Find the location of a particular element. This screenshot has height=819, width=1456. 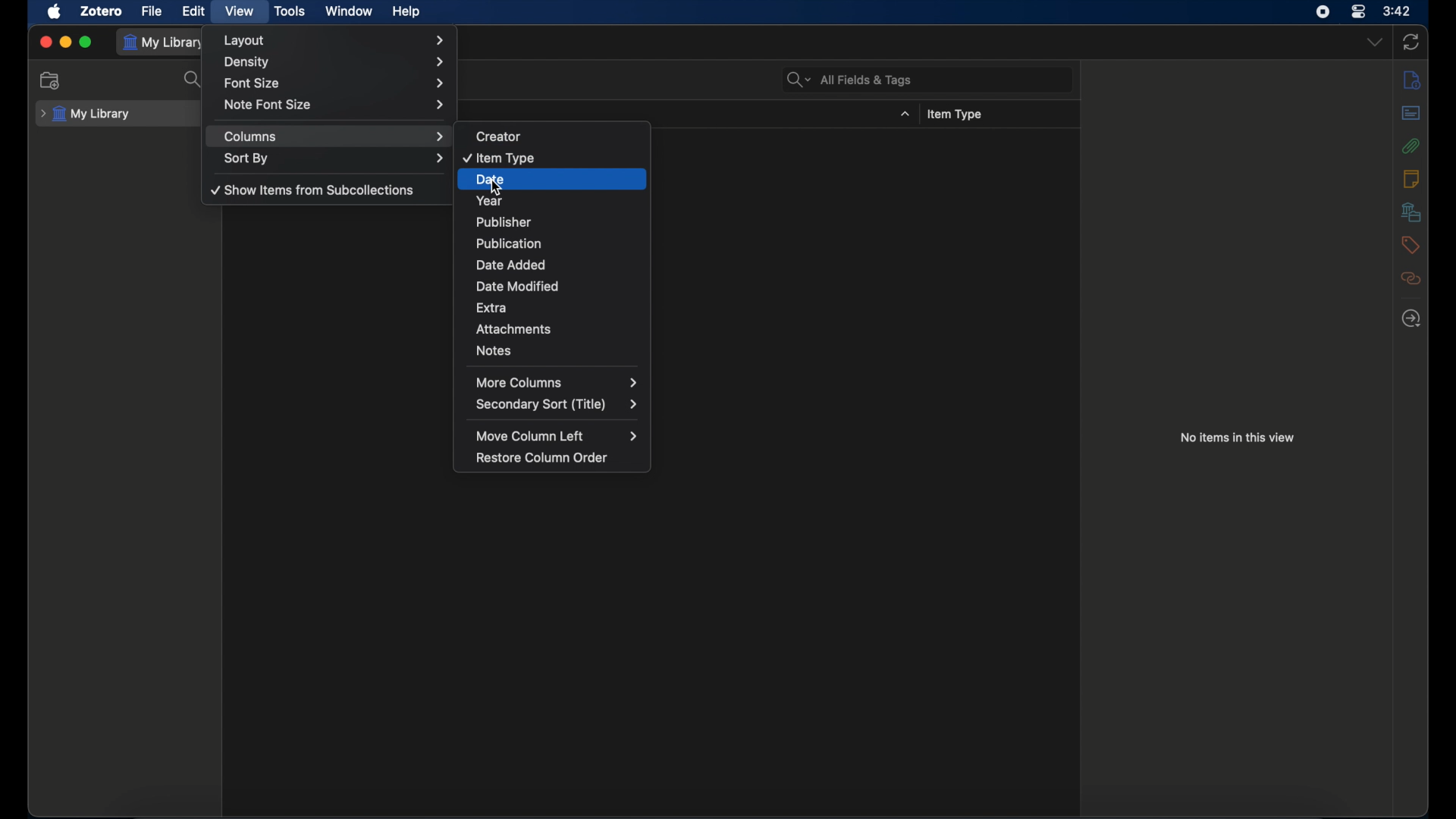

screen recorder is located at coordinates (1323, 12).